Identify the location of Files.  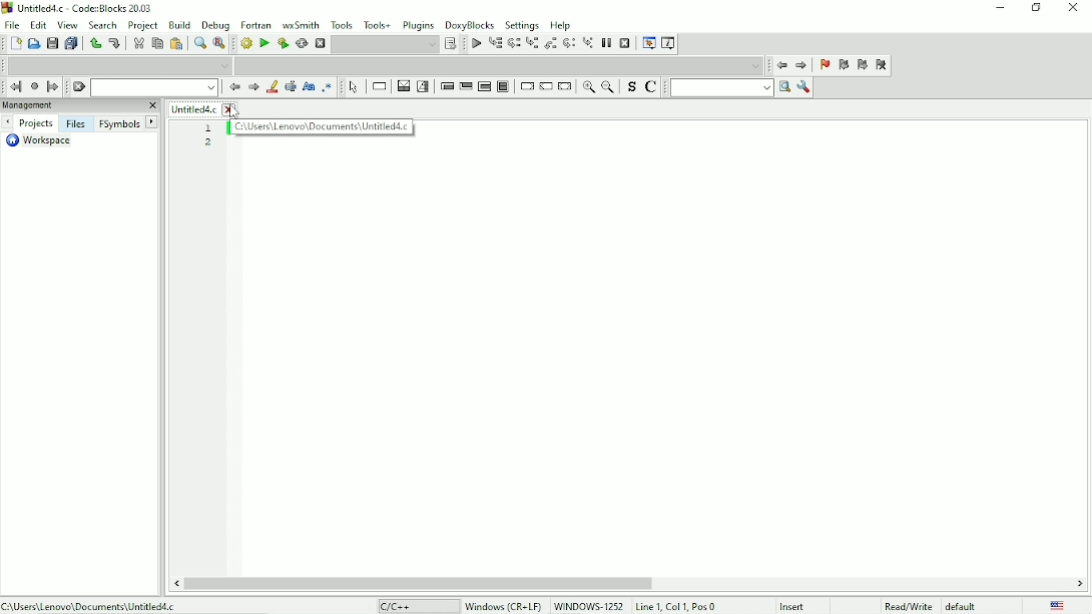
(77, 124).